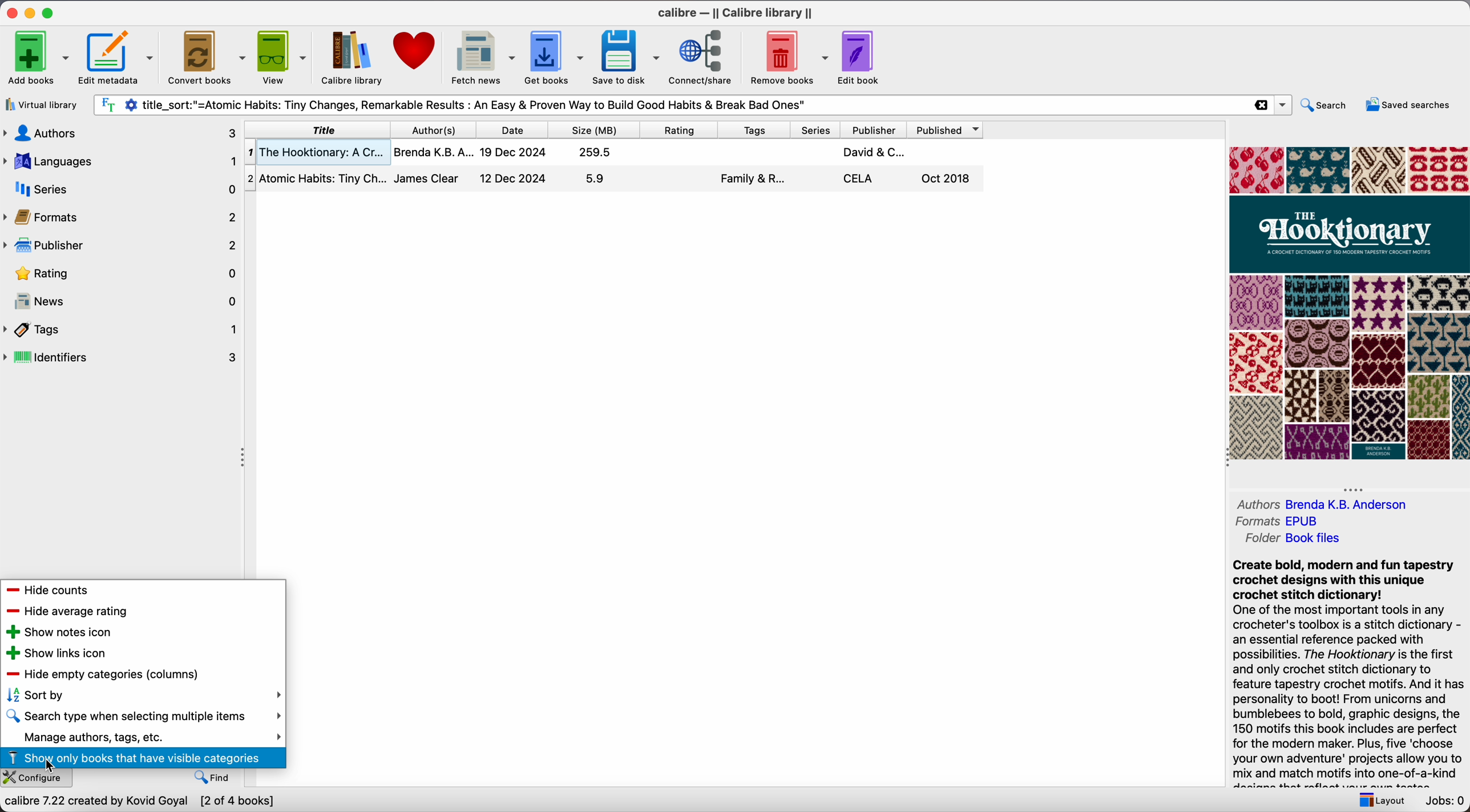 The image size is (1470, 812). Describe the element at coordinates (54, 768) in the screenshot. I see `cursor` at that location.